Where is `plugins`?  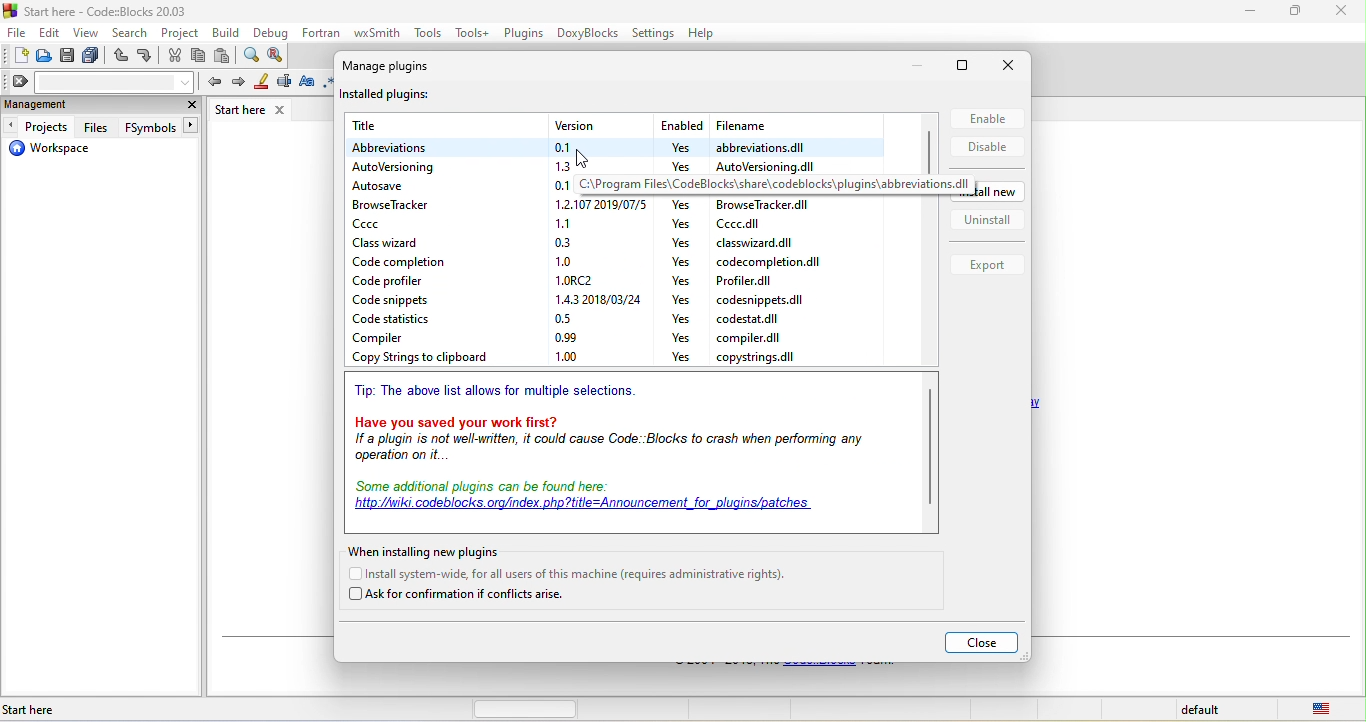
plugins is located at coordinates (526, 34).